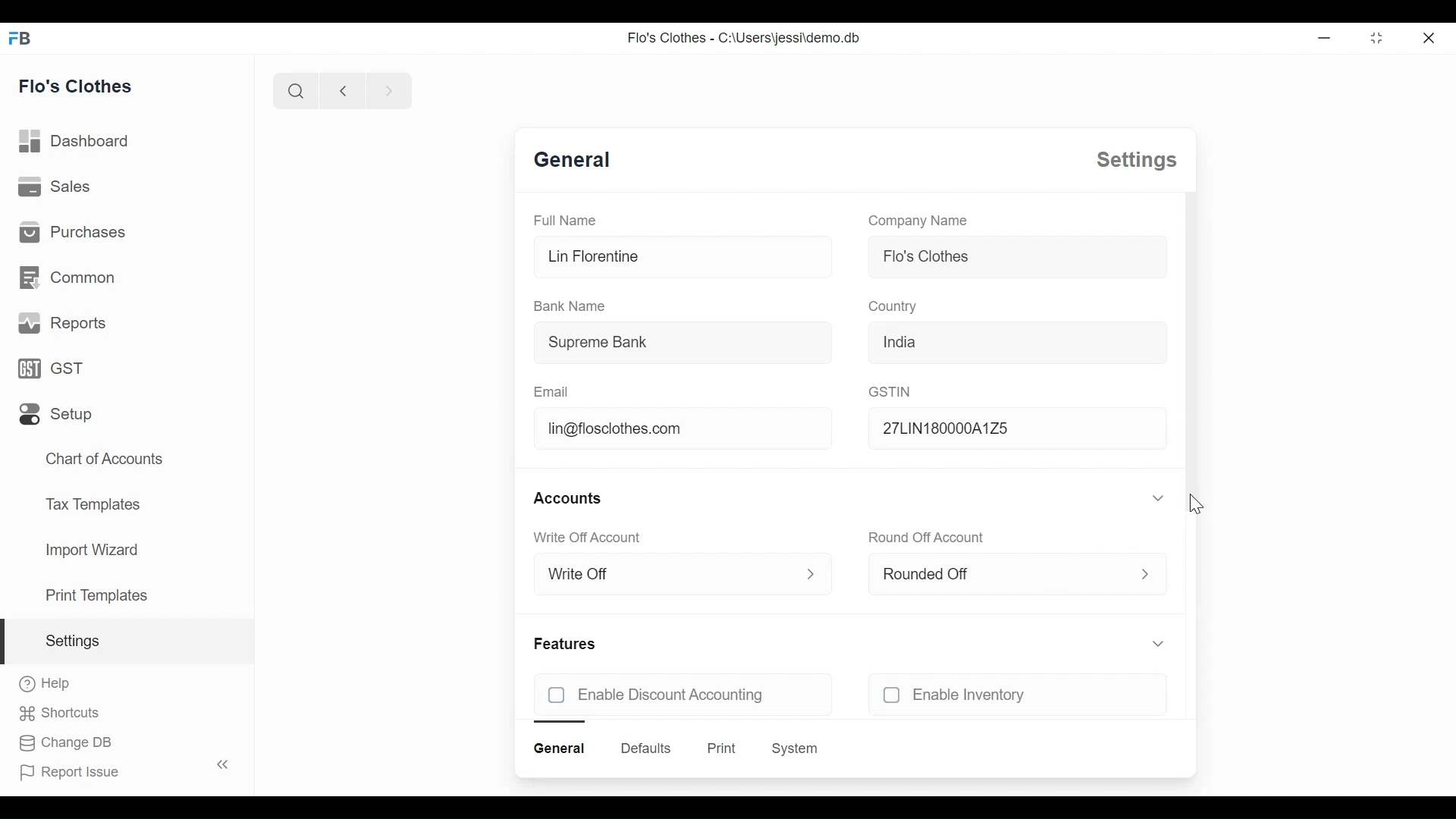 This screenshot has width=1456, height=819. What do you see at coordinates (798, 748) in the screenshot?
I see `System` at bounding box center [798, 748].